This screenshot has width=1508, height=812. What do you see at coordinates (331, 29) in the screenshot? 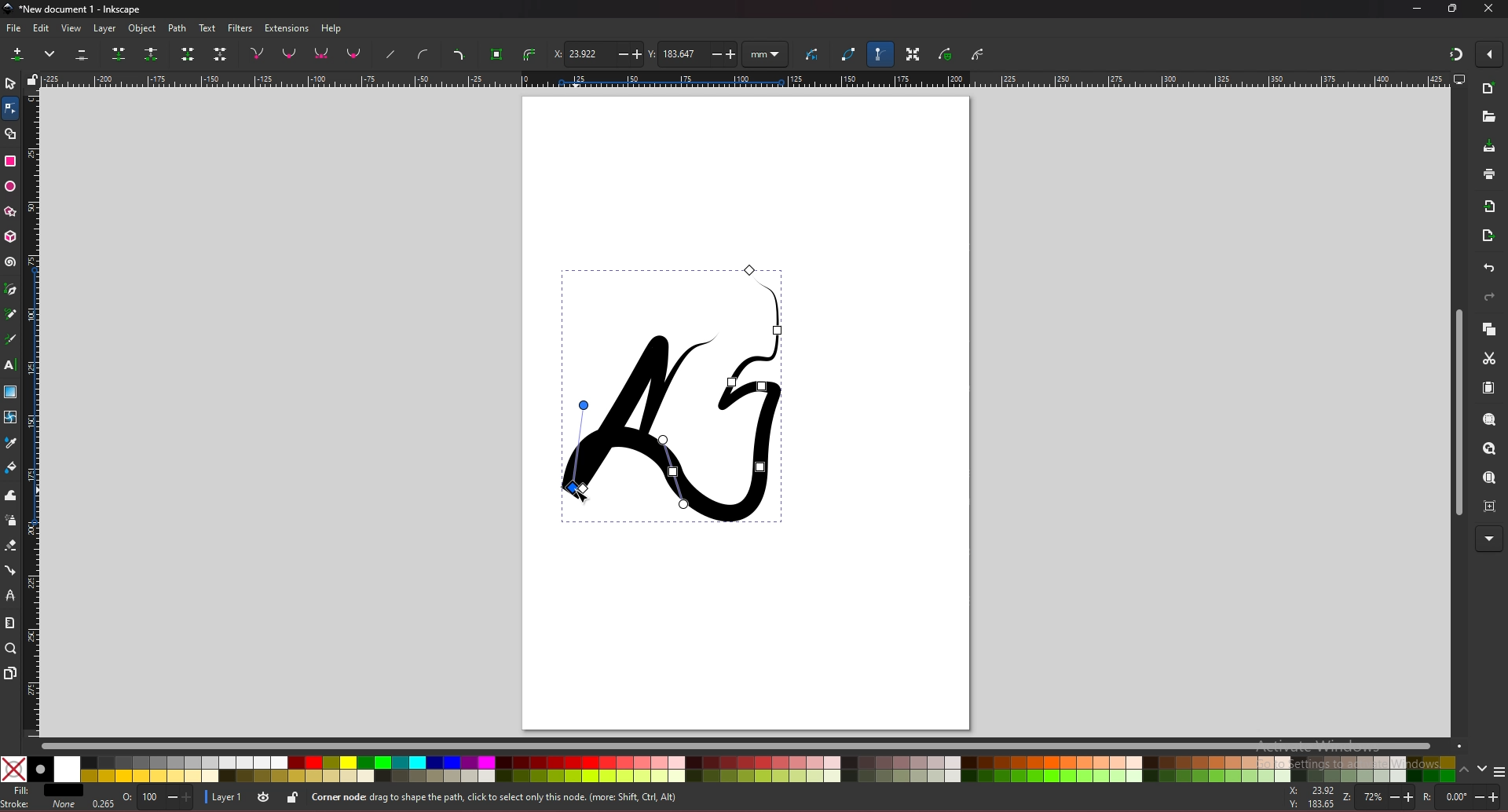
I see `help` at bounding box center [331, 29].